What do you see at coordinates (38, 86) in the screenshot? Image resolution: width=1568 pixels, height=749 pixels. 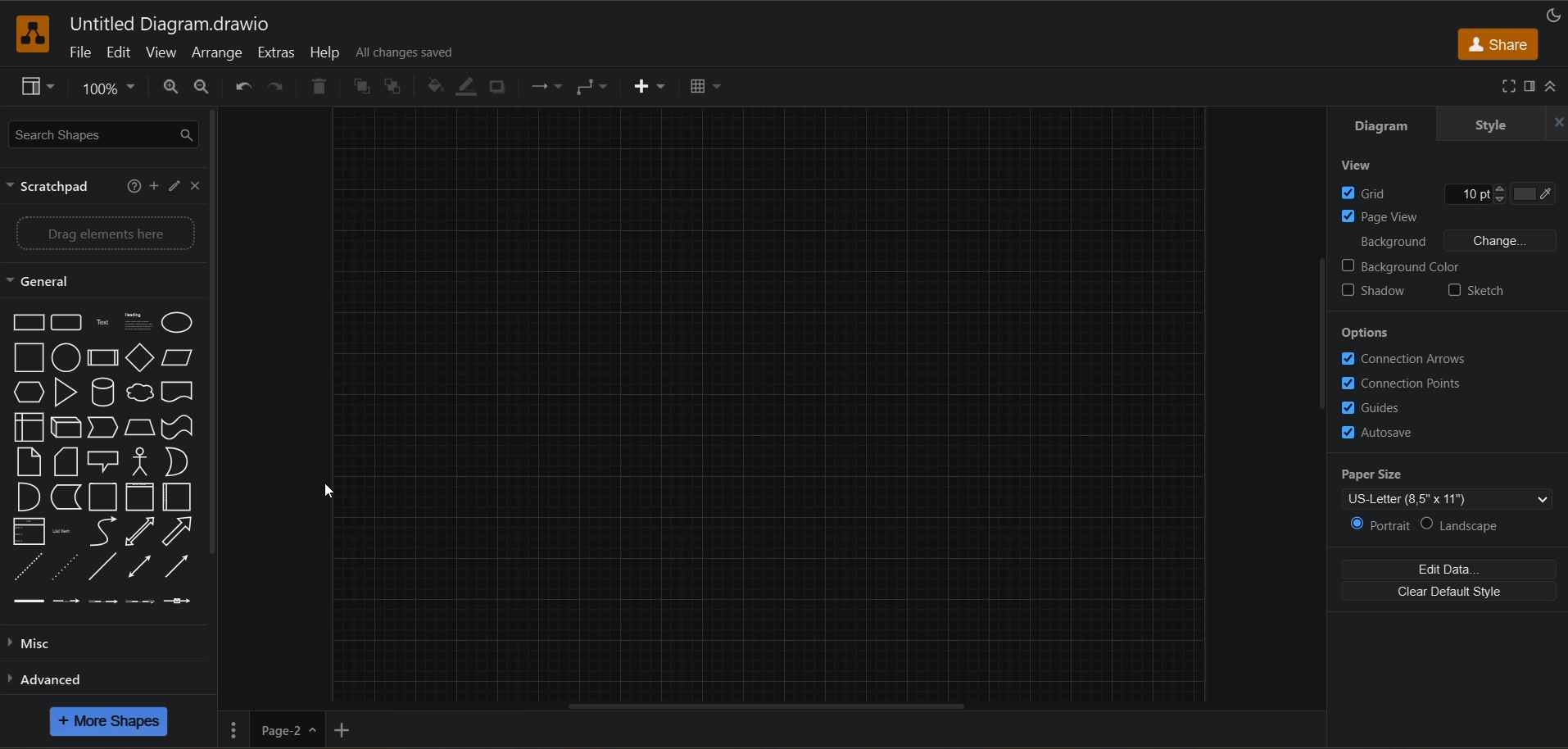 I see `view` at bounding box center [38, 86].